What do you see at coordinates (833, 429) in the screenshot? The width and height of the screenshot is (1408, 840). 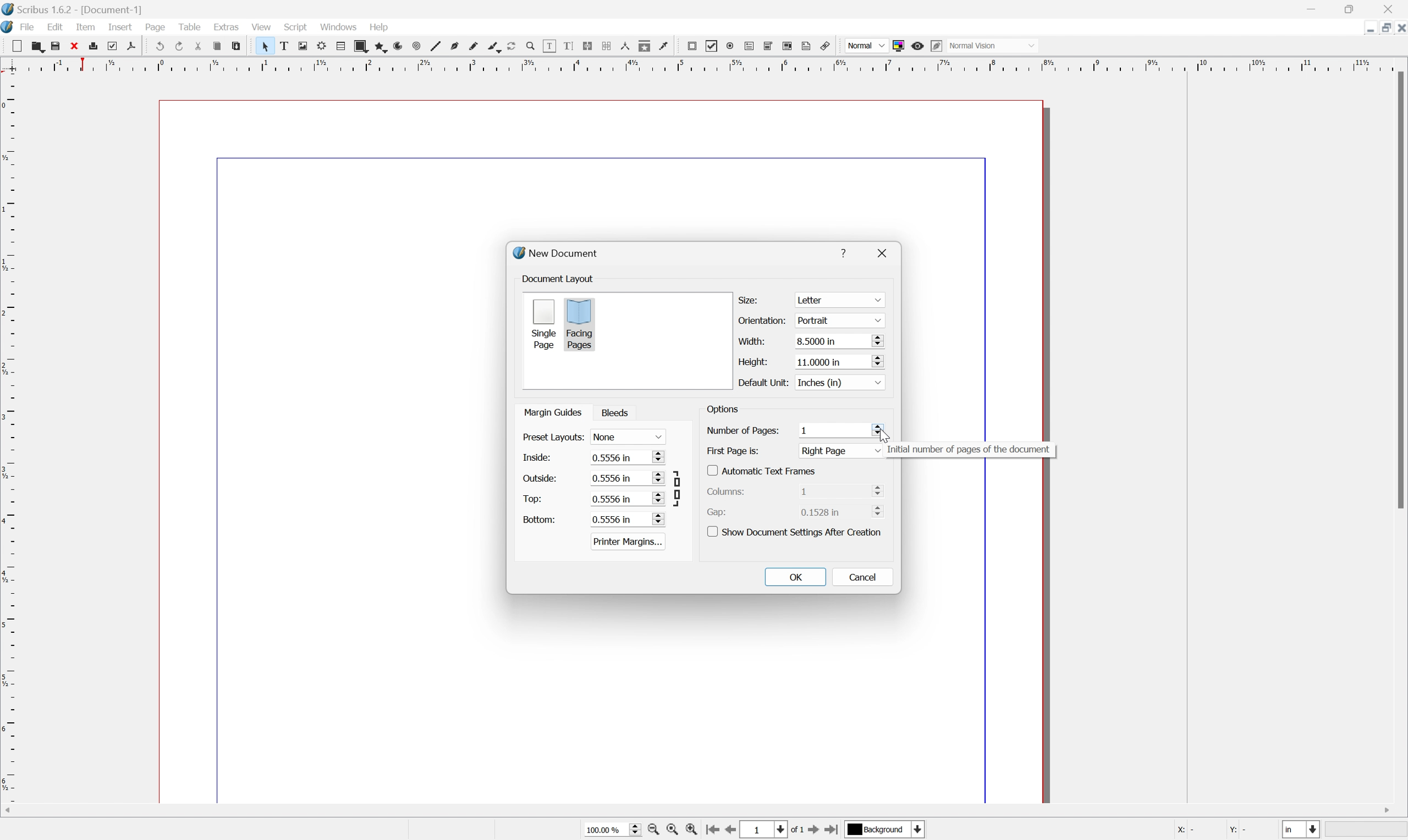 I see `1` at bounding box center [833, 429].